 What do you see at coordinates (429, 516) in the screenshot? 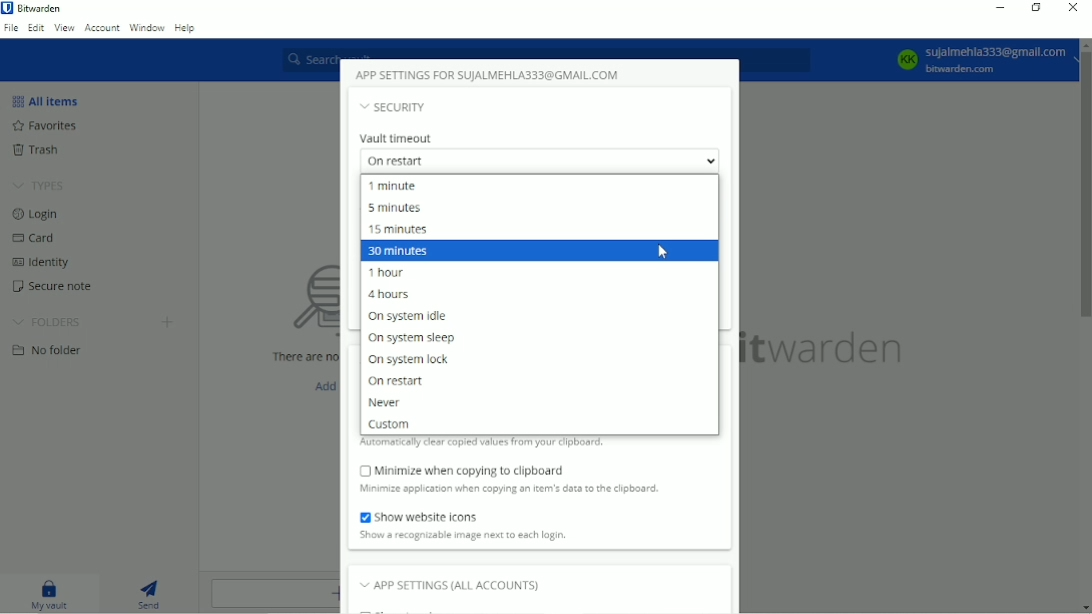
I see `Show website icons` at bounding box center [429, 516].